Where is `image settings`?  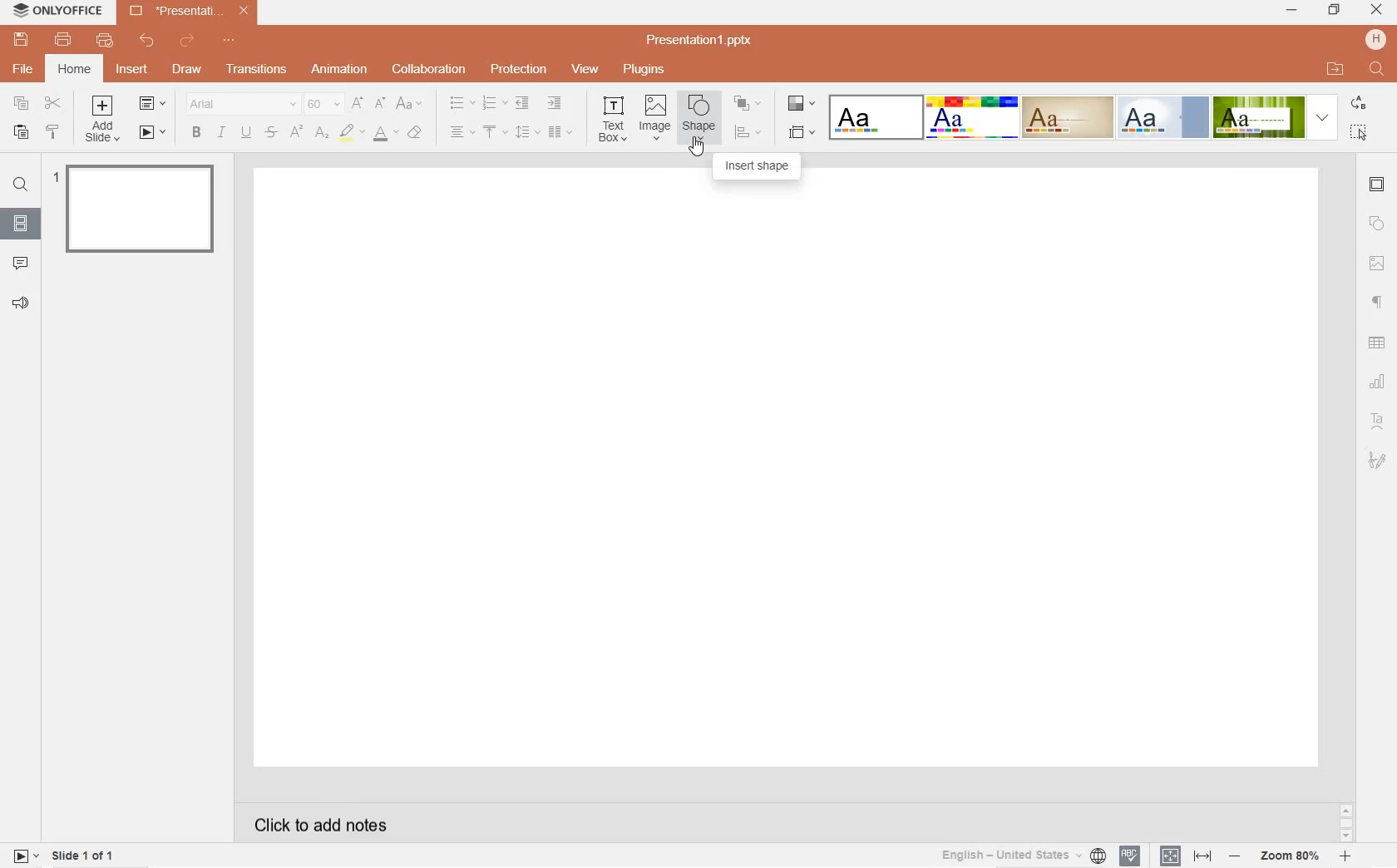 image settings is located at coordinates (1377, 264).